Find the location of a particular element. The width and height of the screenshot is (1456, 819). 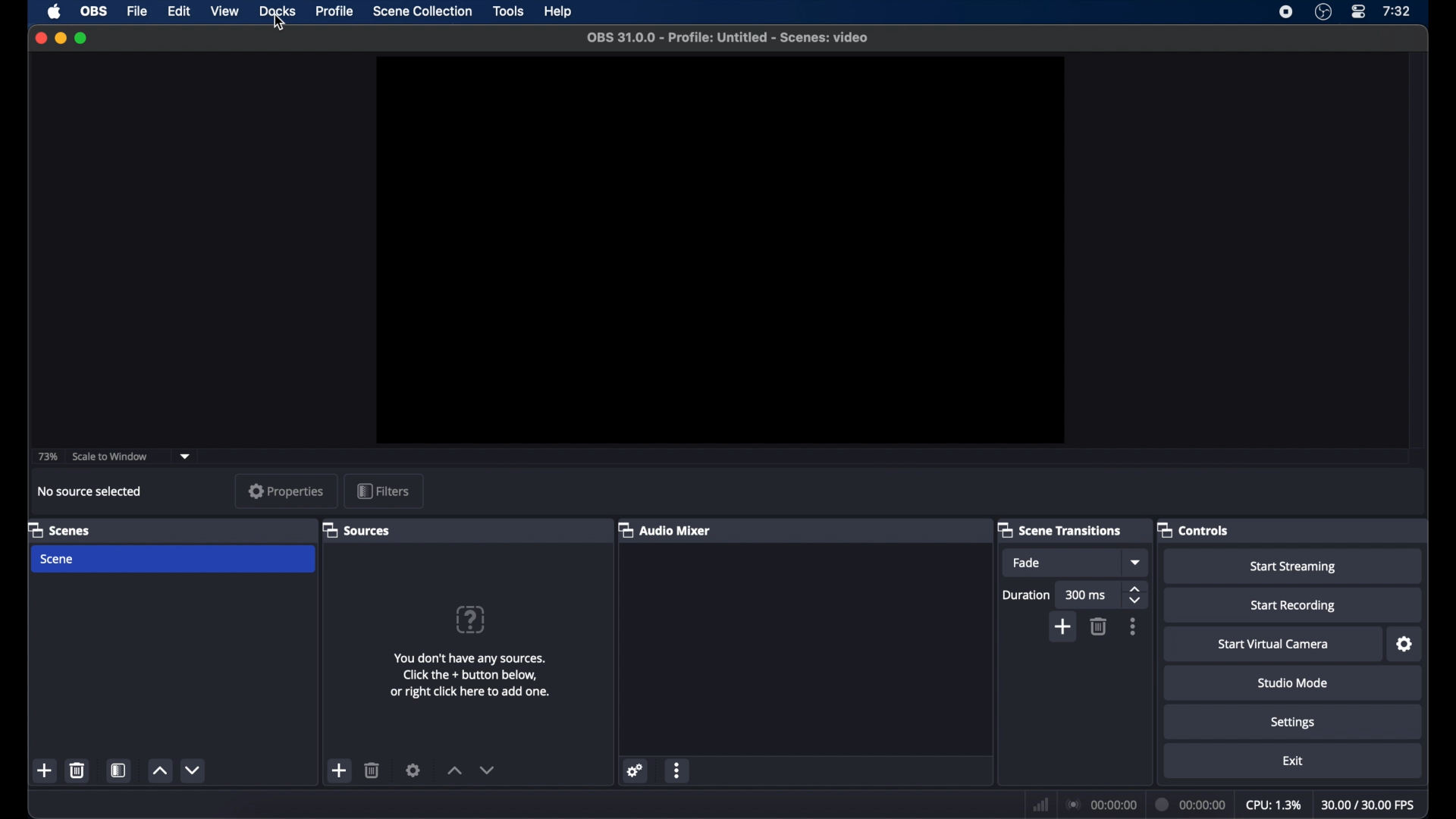

scenes is located at coordinates (59, 529).